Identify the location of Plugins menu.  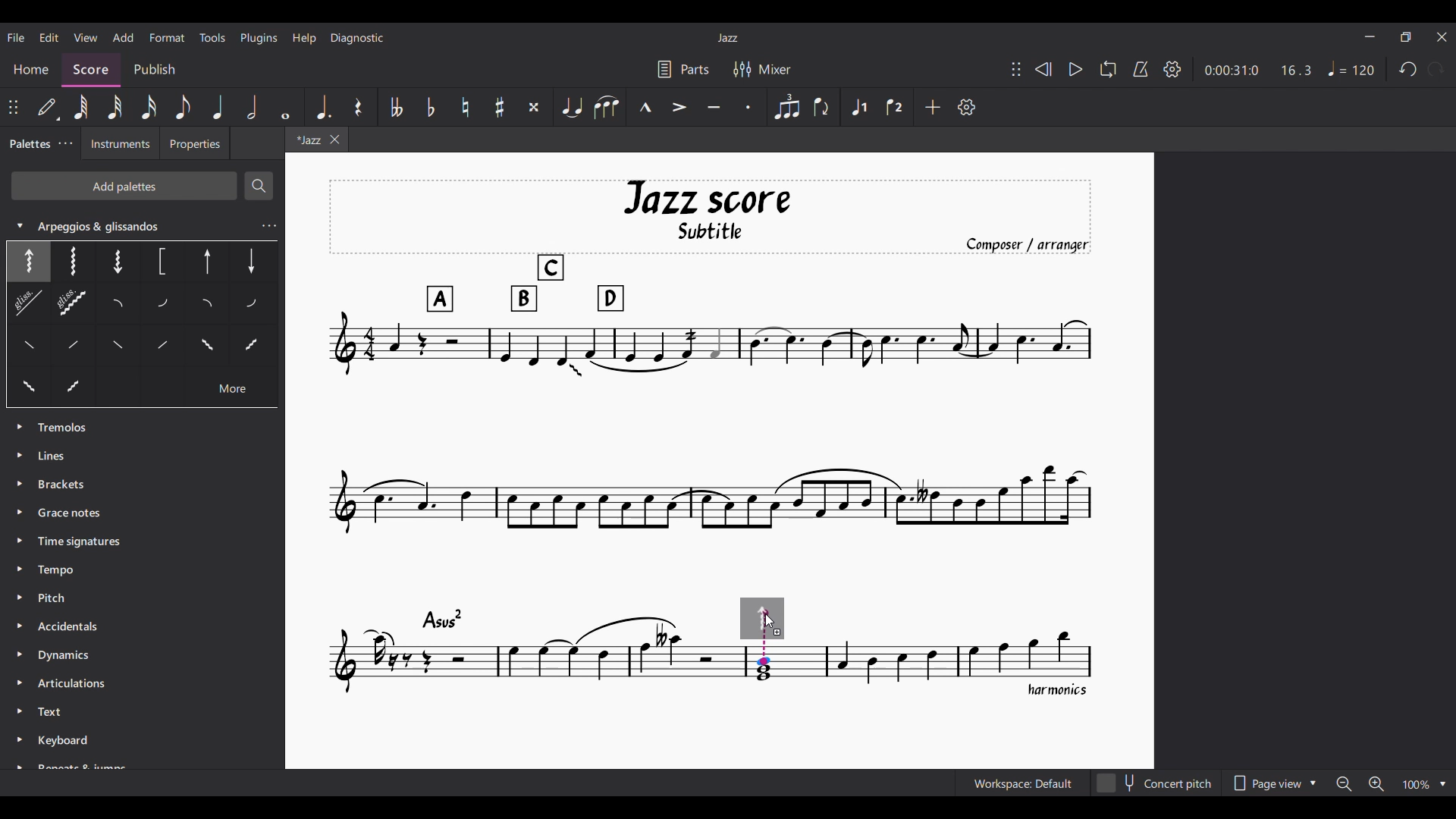
(259, 39).